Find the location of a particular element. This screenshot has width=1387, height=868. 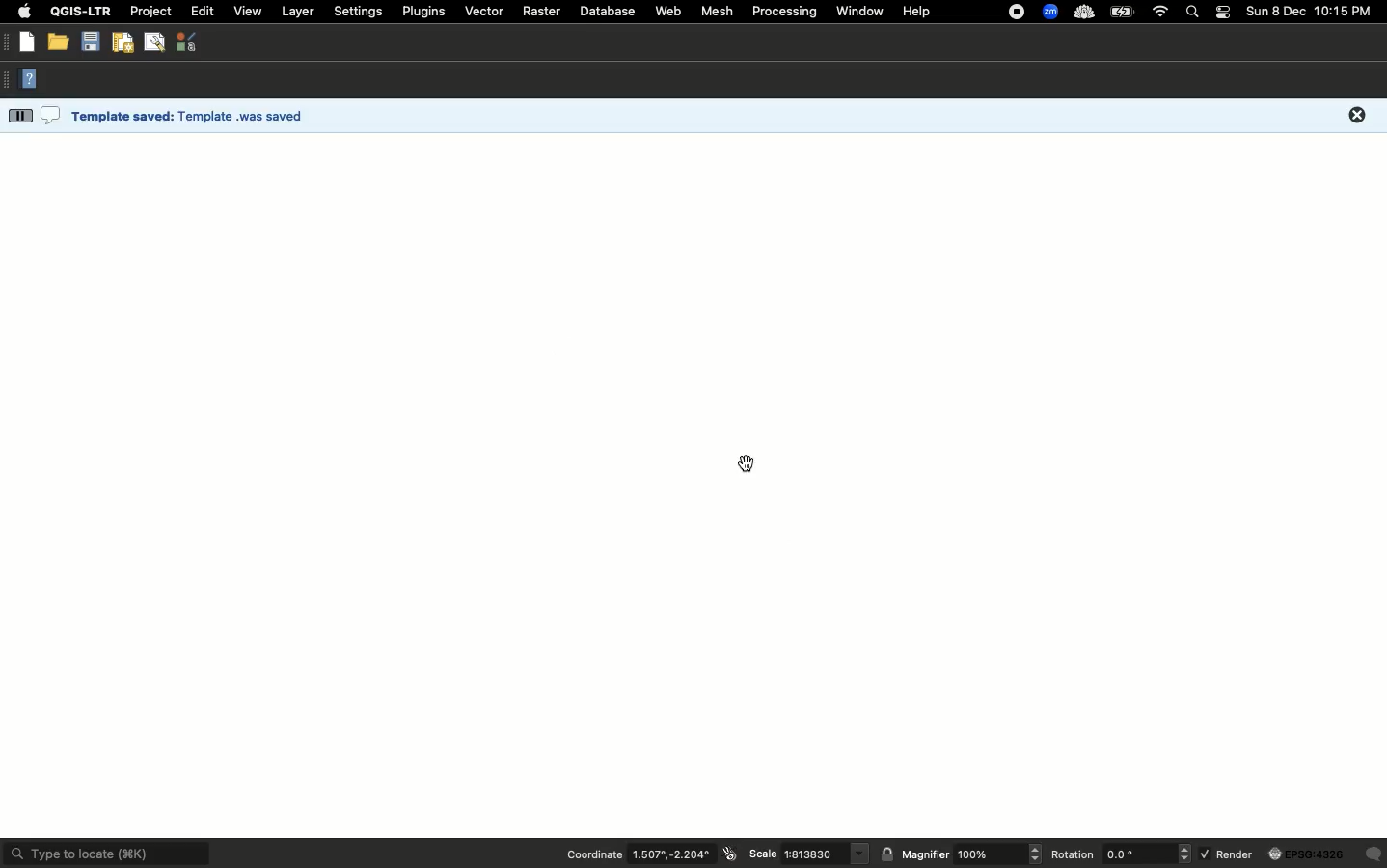

Layer is located at coordinates (297, 12).